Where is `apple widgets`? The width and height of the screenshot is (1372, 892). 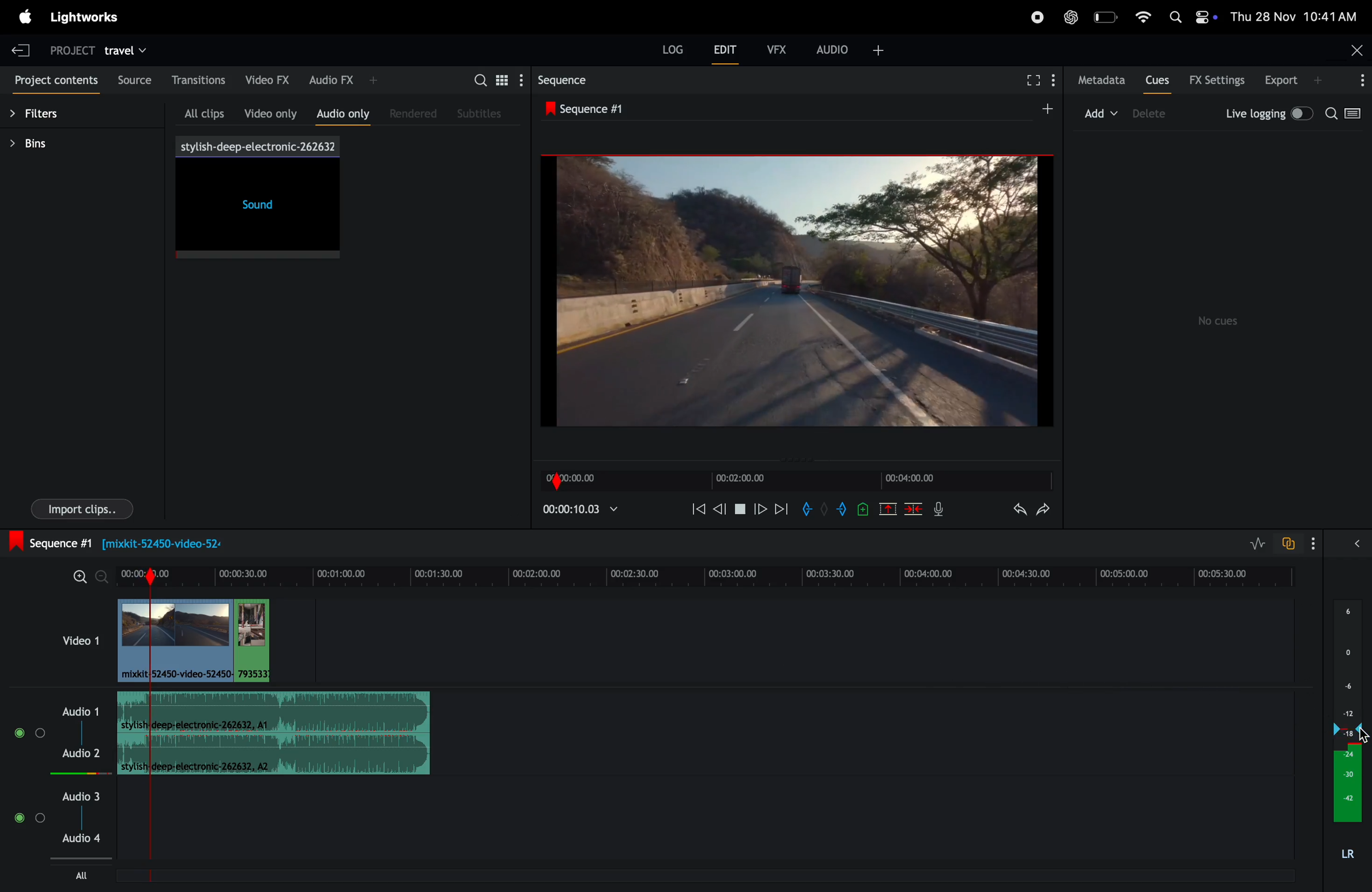
apple widgets is located at coordinates (1190, 14).